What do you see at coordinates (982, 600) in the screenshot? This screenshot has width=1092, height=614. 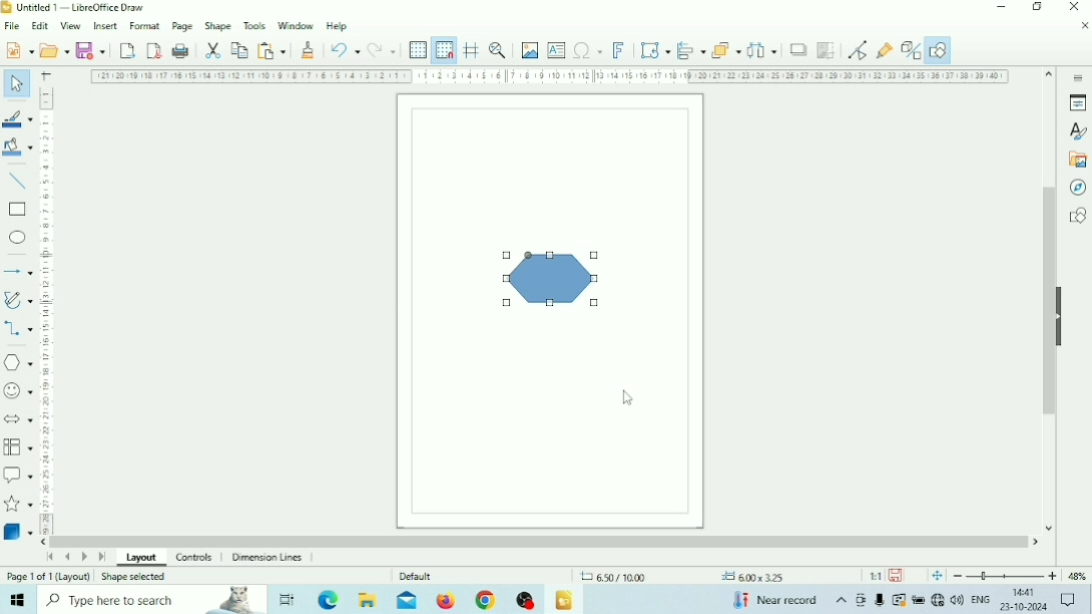 I see `Language` at bounding box center [982, 600].